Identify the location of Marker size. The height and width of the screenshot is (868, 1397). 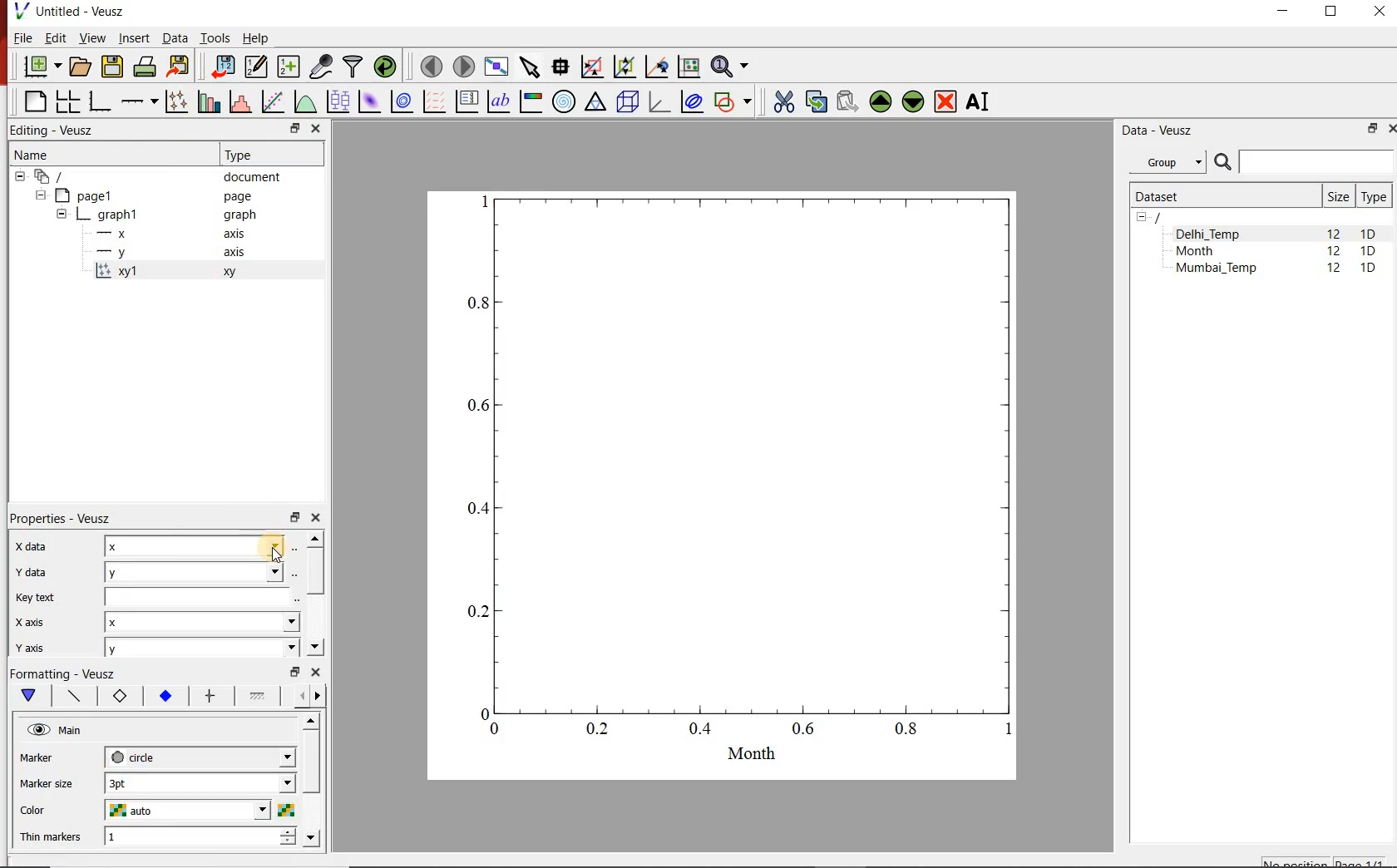
(47, 785).